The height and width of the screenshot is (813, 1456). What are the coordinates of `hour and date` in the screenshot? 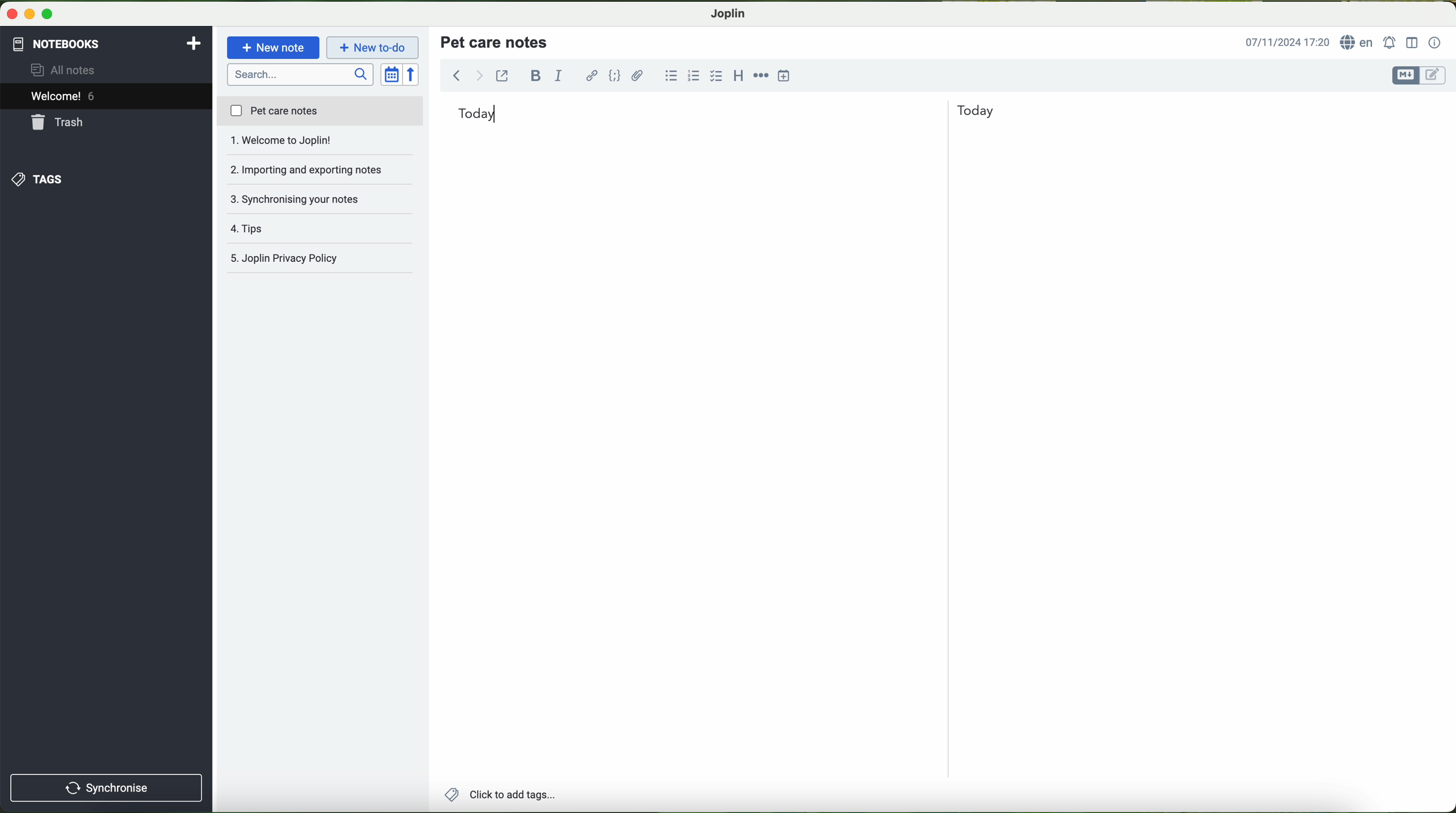 It's located at (1286, 43).